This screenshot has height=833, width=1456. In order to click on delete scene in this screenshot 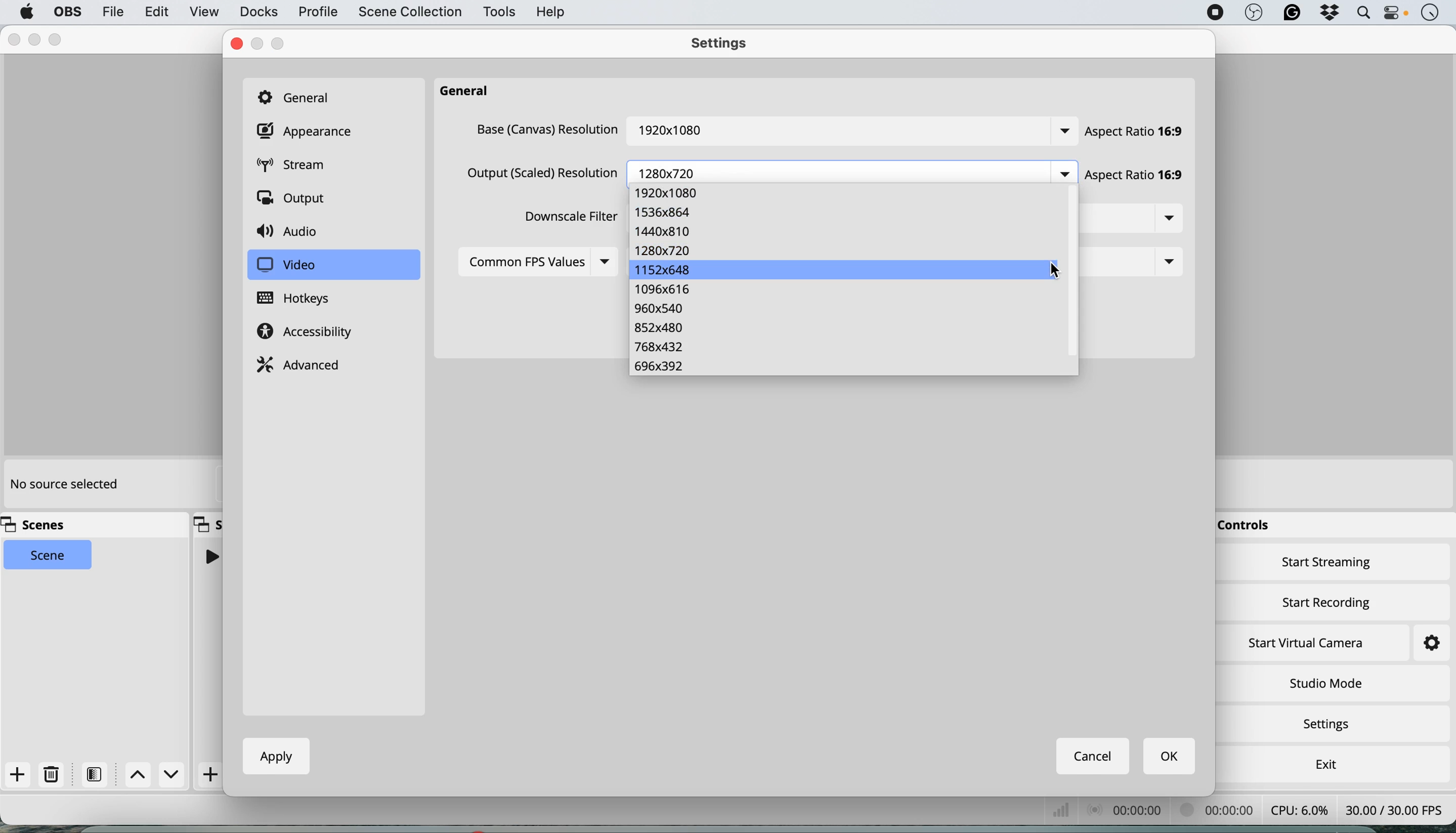, I will do `click(52, 775)`.